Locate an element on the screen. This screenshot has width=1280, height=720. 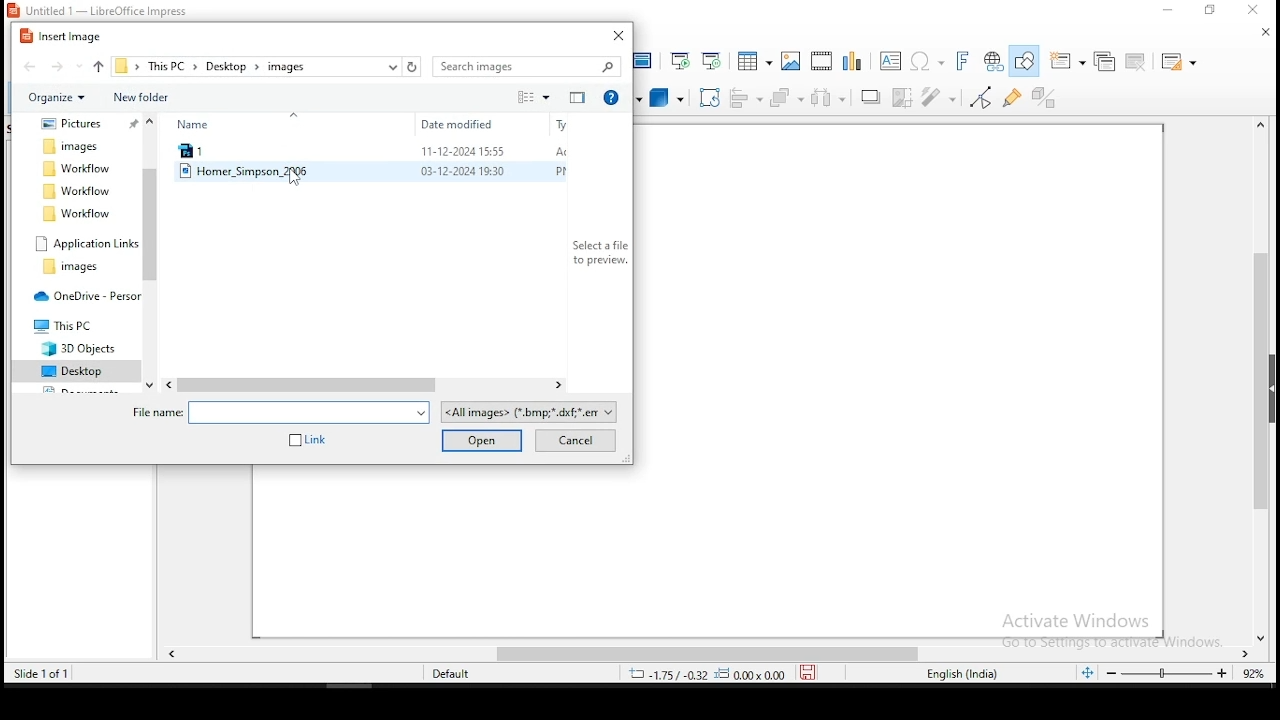
file path is located at coordinates (126, 65).